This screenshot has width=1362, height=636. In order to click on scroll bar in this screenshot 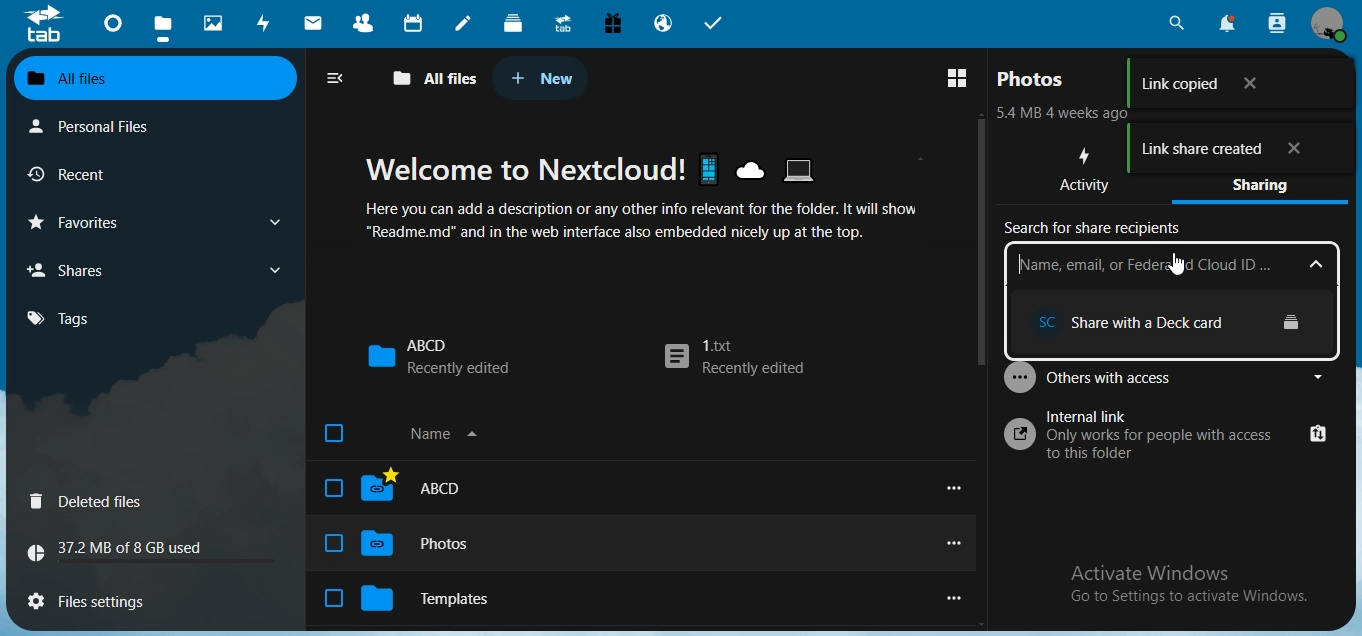, I will do `click(981, 241)`.